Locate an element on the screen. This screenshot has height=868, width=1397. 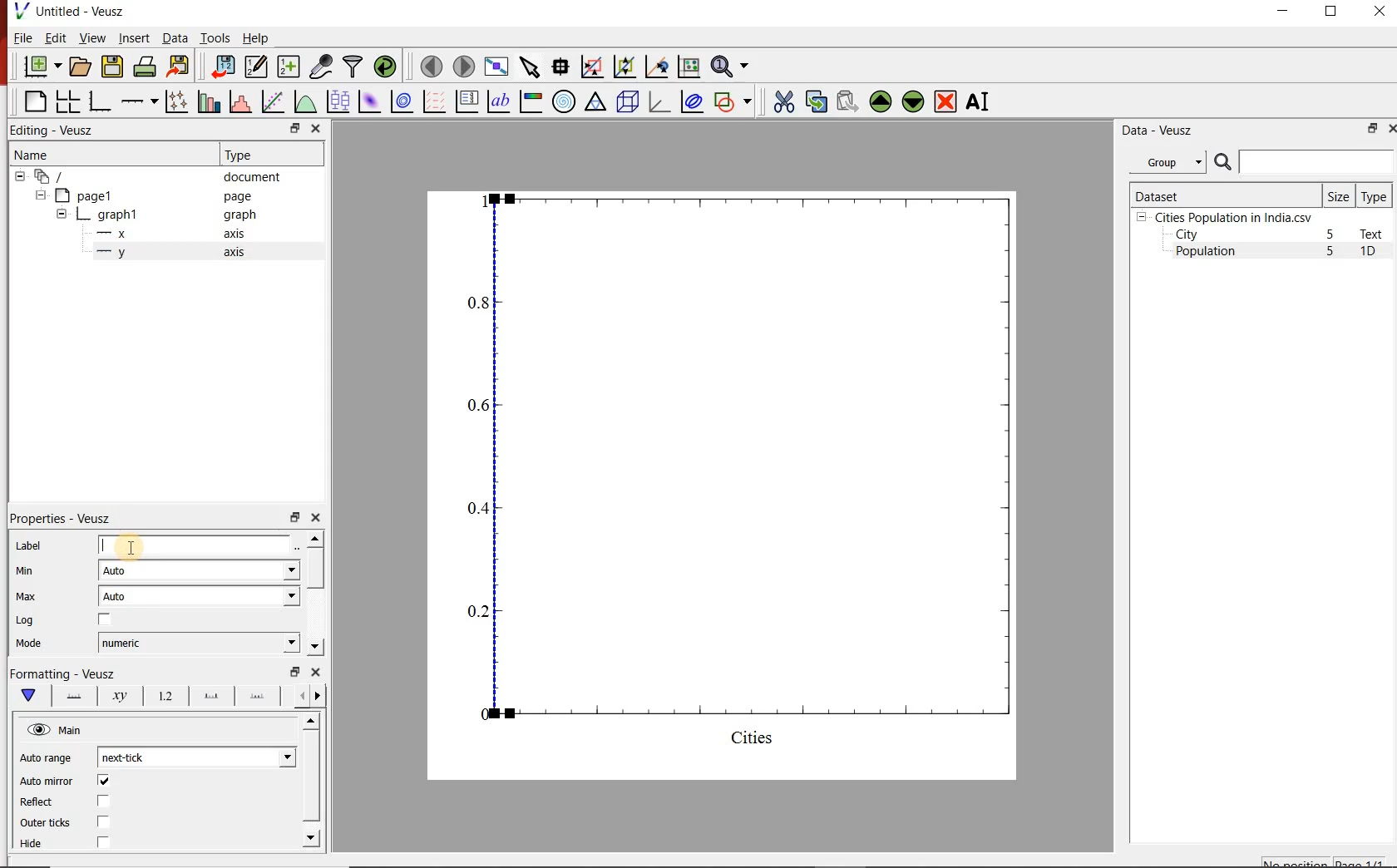
next-tick is located at coordinates (195, 757).